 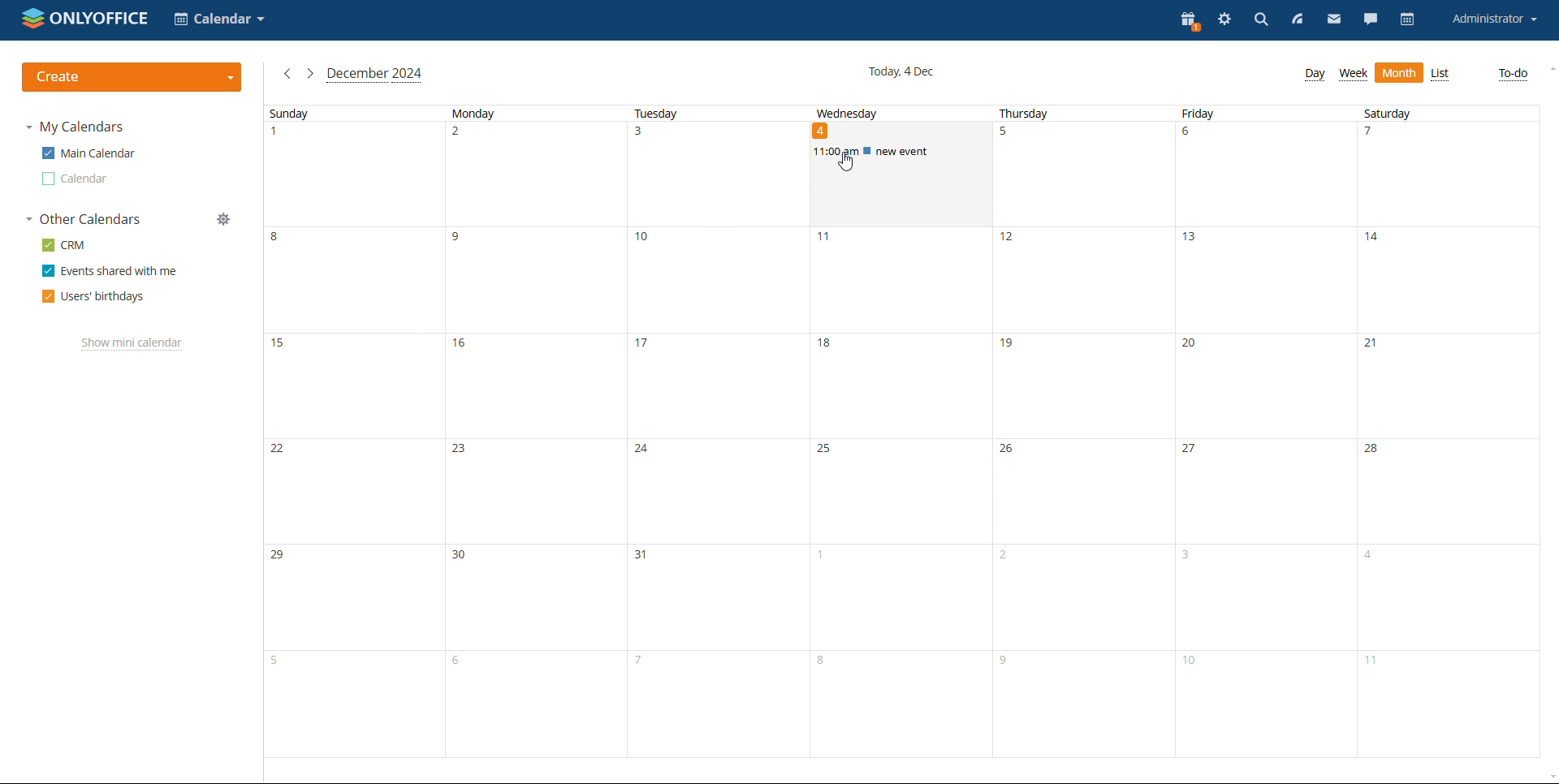 I want to click on date, so click(x=824, y=131).